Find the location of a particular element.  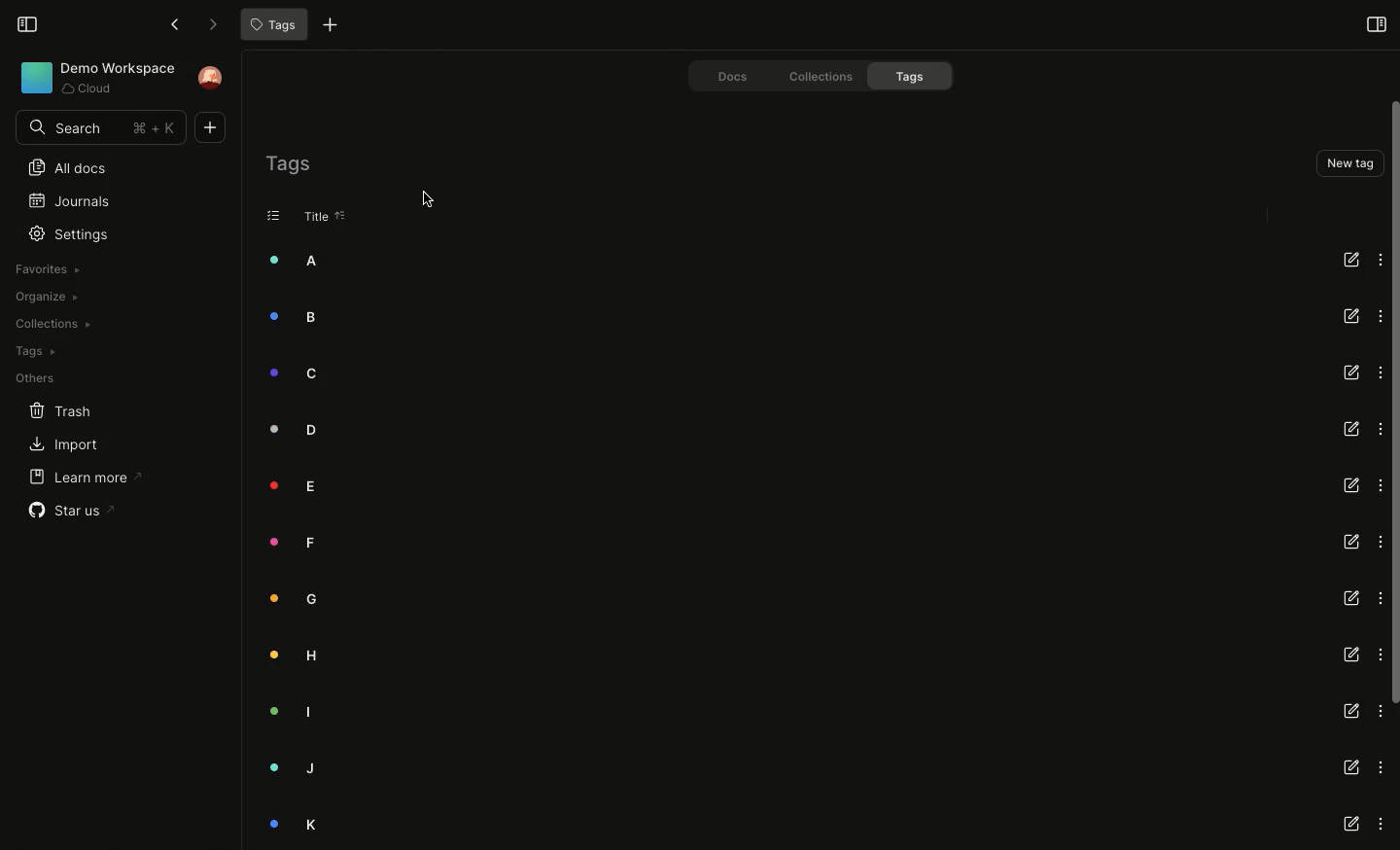

Rename is located at coordinates (1348, 316).